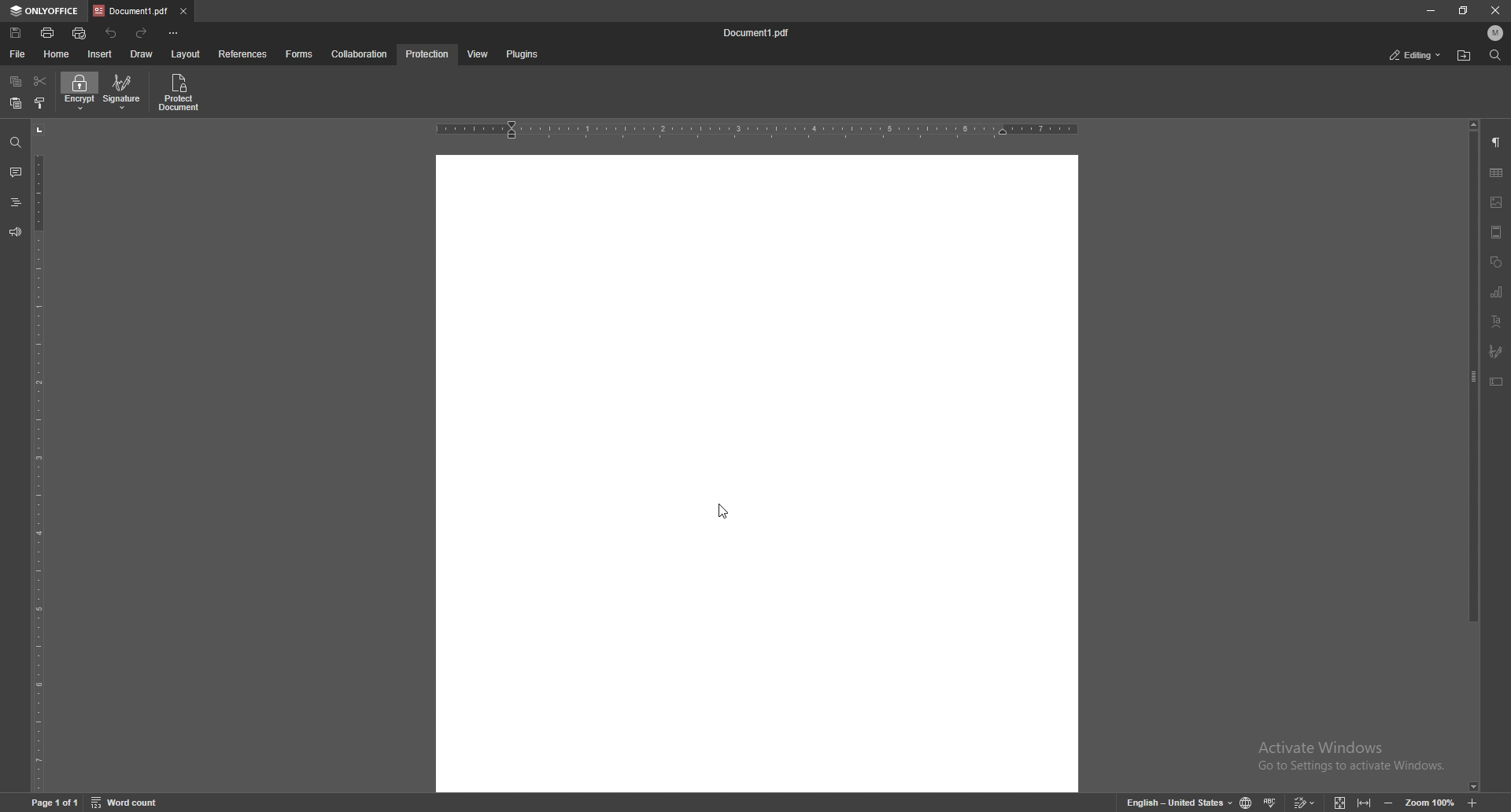 The image size is (1511, 812). I want to click on zoom, so click(1431, 802).